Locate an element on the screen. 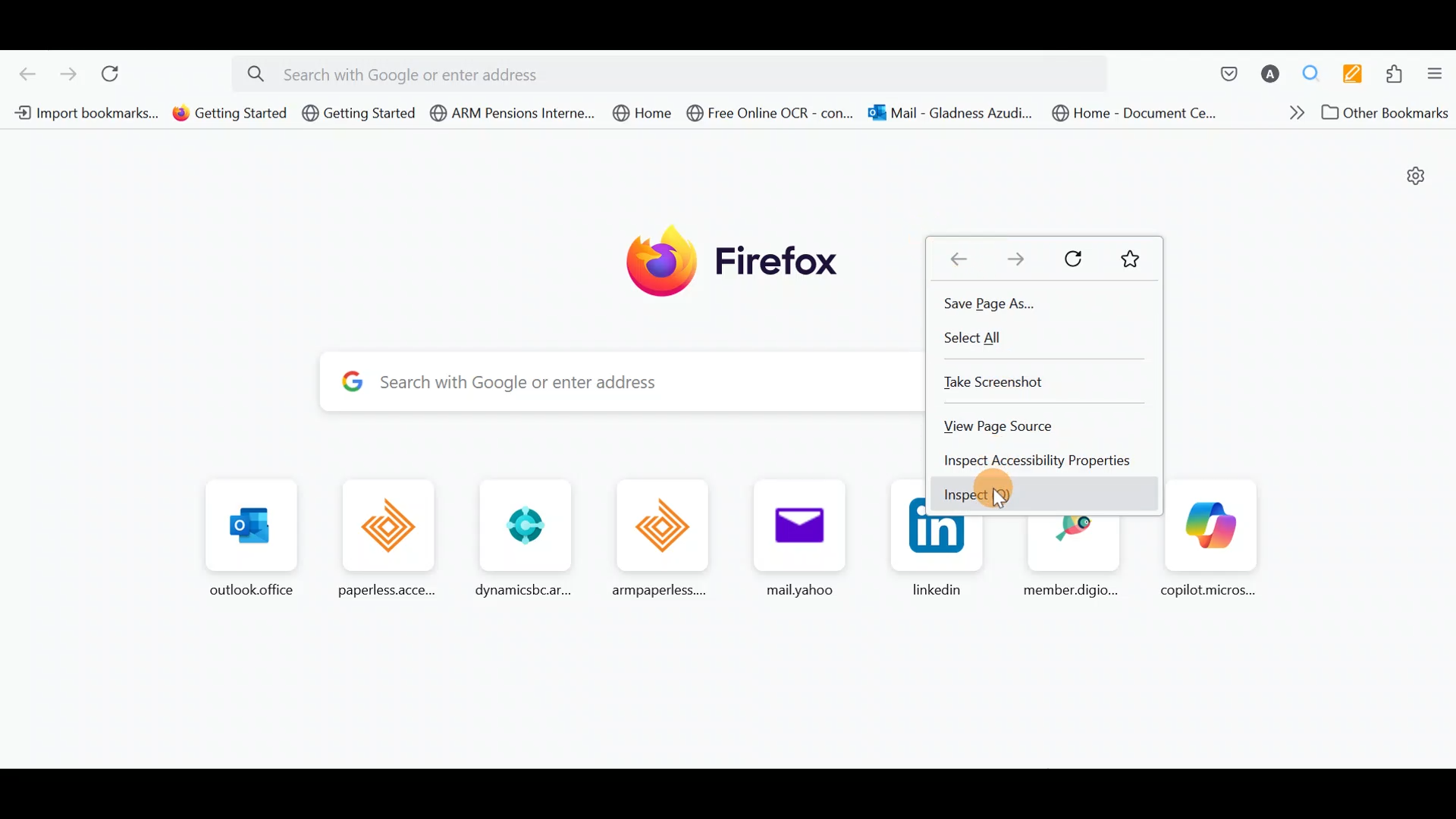  Go back one page is located at coordinates (22, 73).